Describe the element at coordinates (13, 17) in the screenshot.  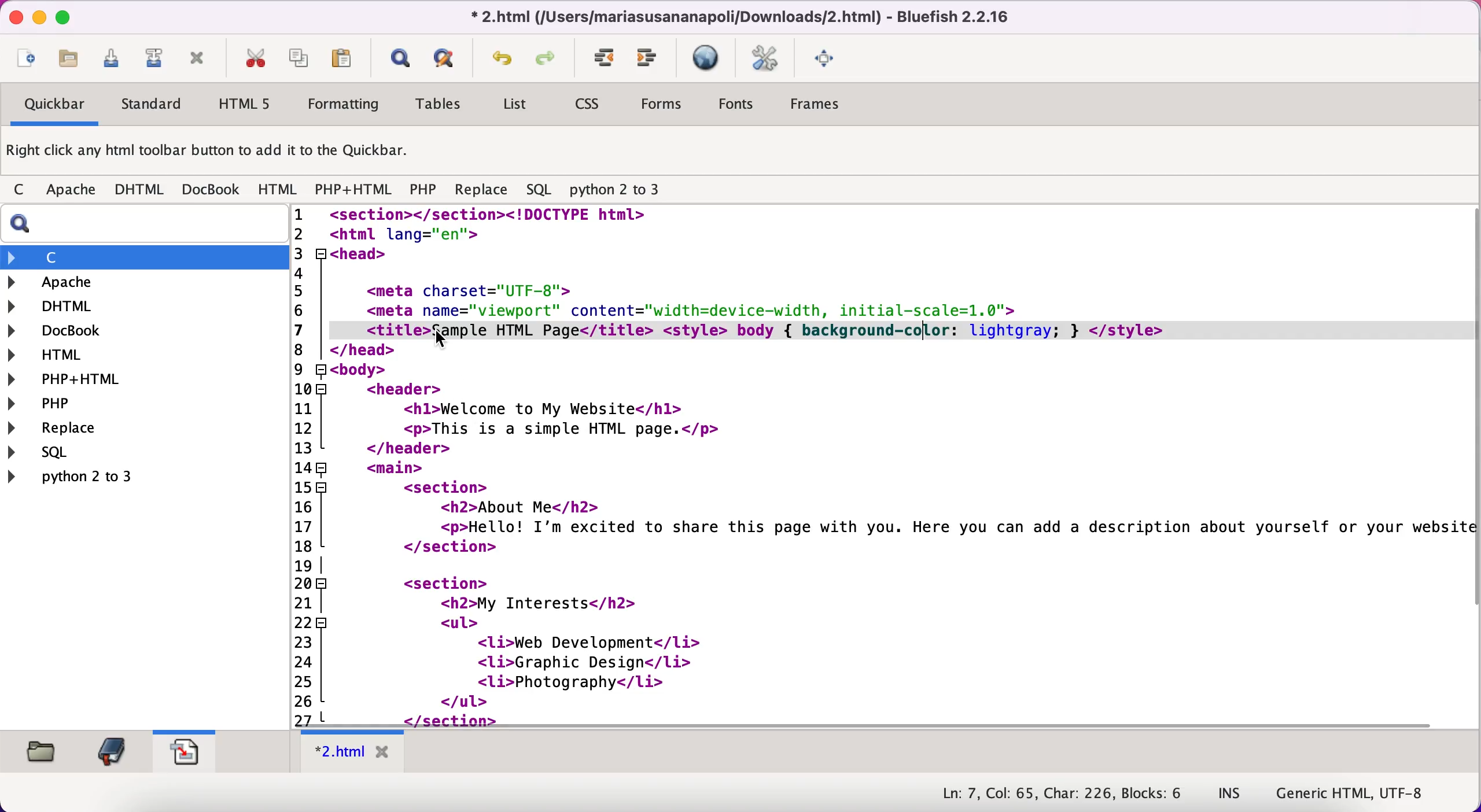
I see `close` at that location.